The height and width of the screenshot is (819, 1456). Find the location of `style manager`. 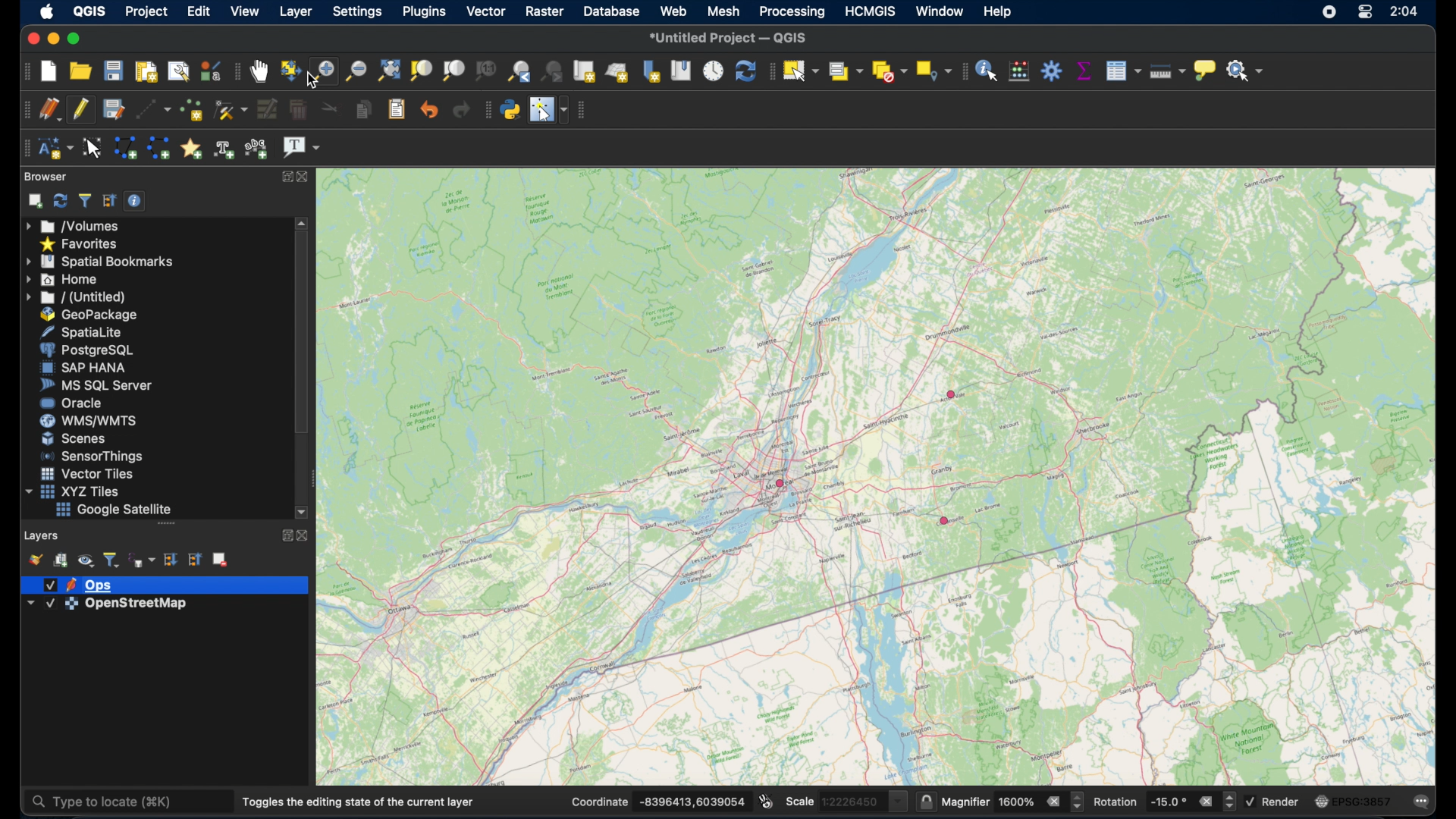

style manager is located at coordinates (210, 71).